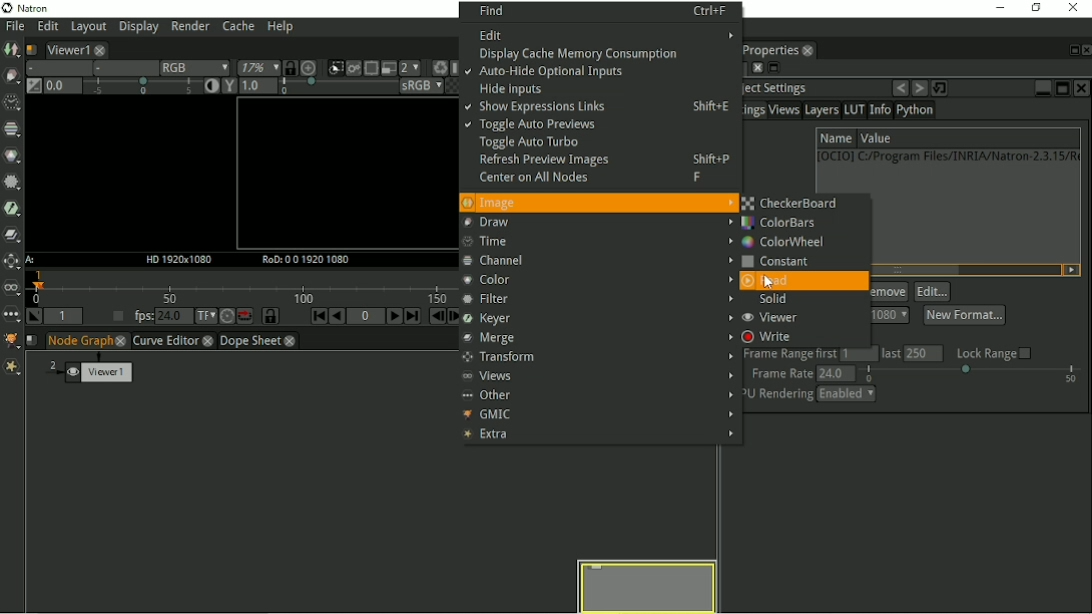 The height and width of the screenshot is (614, 1092). What do you see at coordinates (13, 26) in the screenshot?
I see `File` at bounding box center [13, 26].